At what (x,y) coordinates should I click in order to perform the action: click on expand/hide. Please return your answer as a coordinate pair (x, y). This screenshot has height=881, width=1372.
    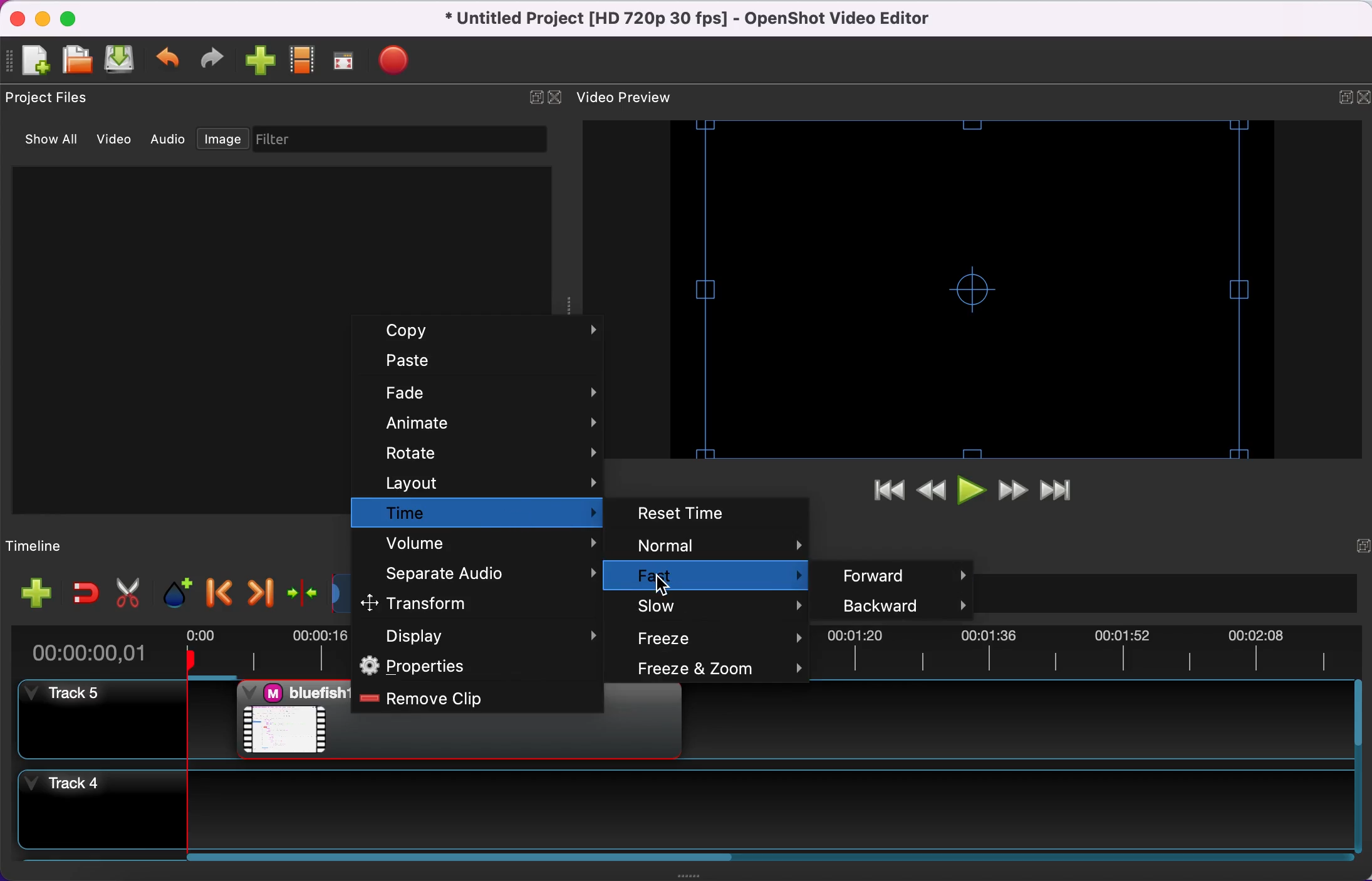
    Looking at the image, I should click on (536, 102).